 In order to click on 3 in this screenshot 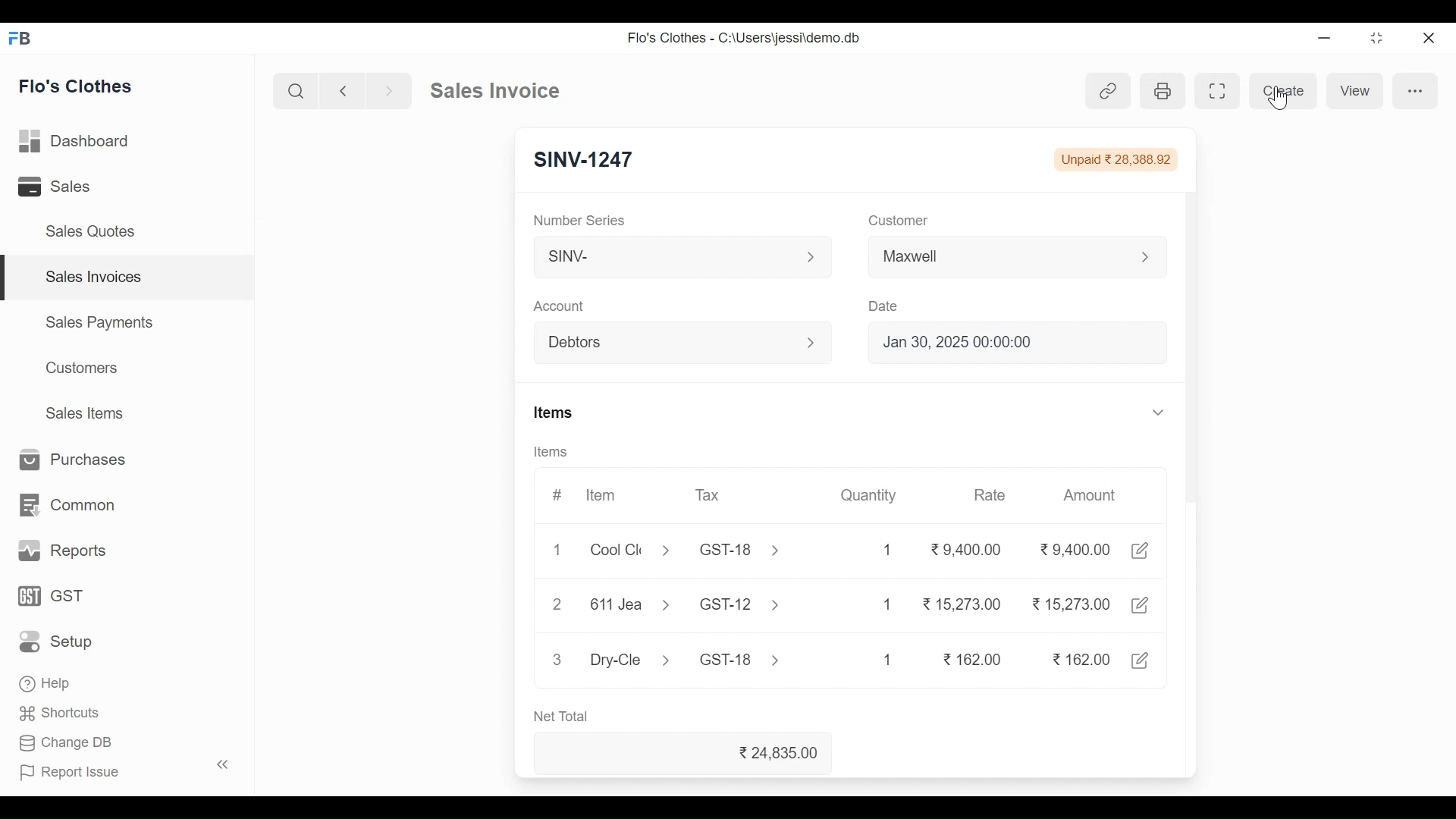, I will do `click(557, 658)`.